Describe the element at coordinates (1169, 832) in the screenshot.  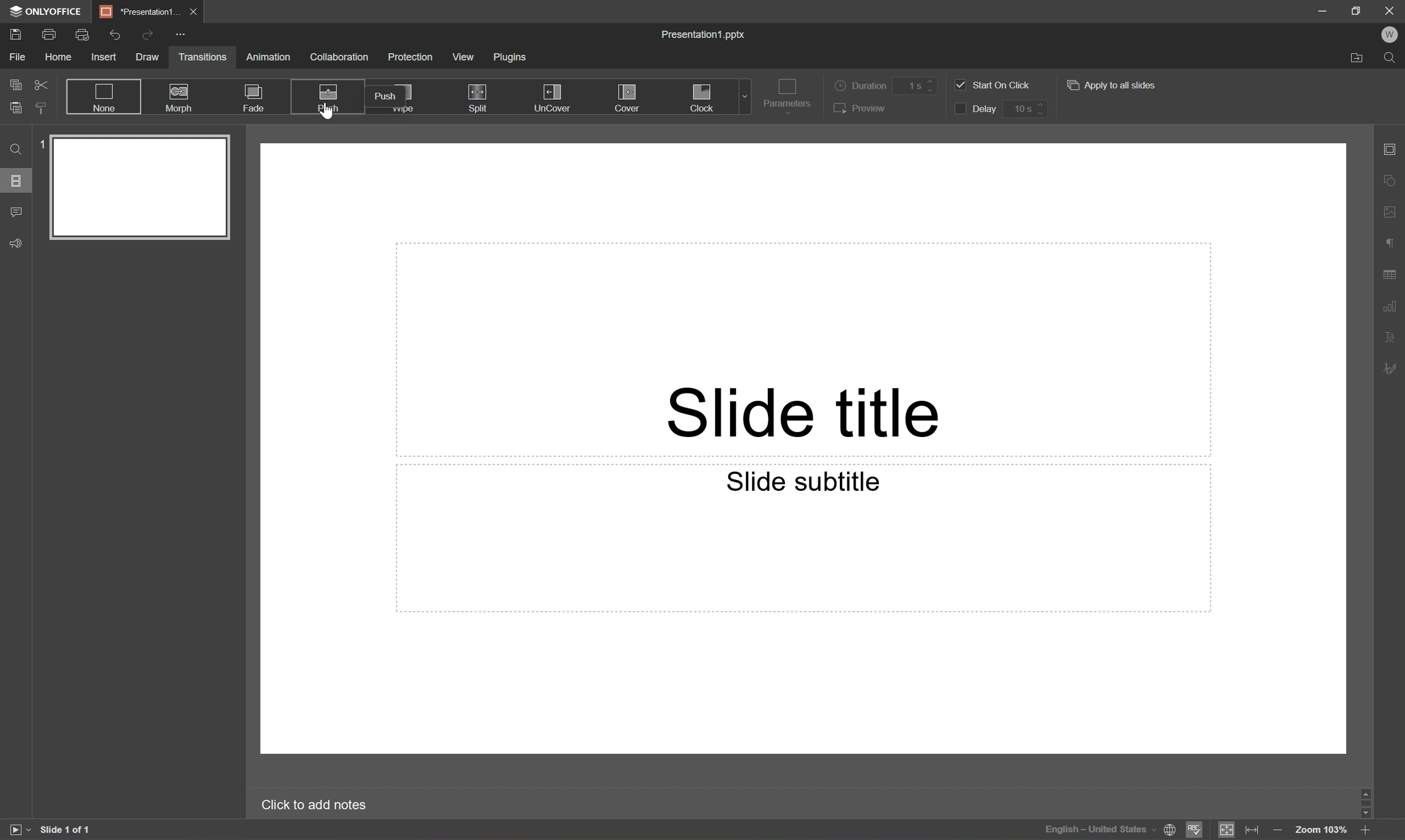
I see `Set document language` at that location.